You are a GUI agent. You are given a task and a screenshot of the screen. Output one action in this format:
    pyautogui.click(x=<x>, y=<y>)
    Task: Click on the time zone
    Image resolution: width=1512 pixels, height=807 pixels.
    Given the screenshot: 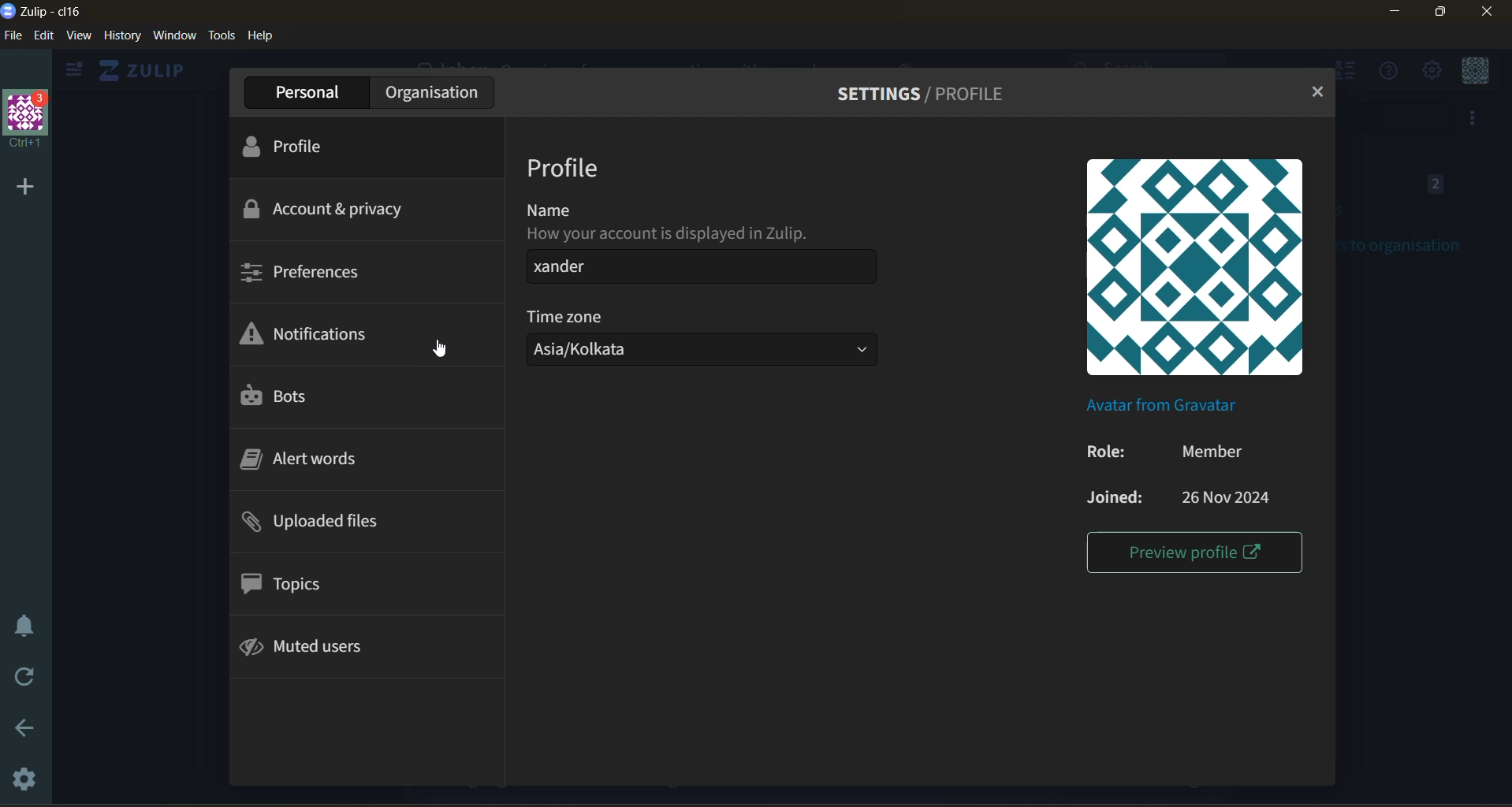 What is the action you would take?
    pyautogui.click(x=695, y=352)
    